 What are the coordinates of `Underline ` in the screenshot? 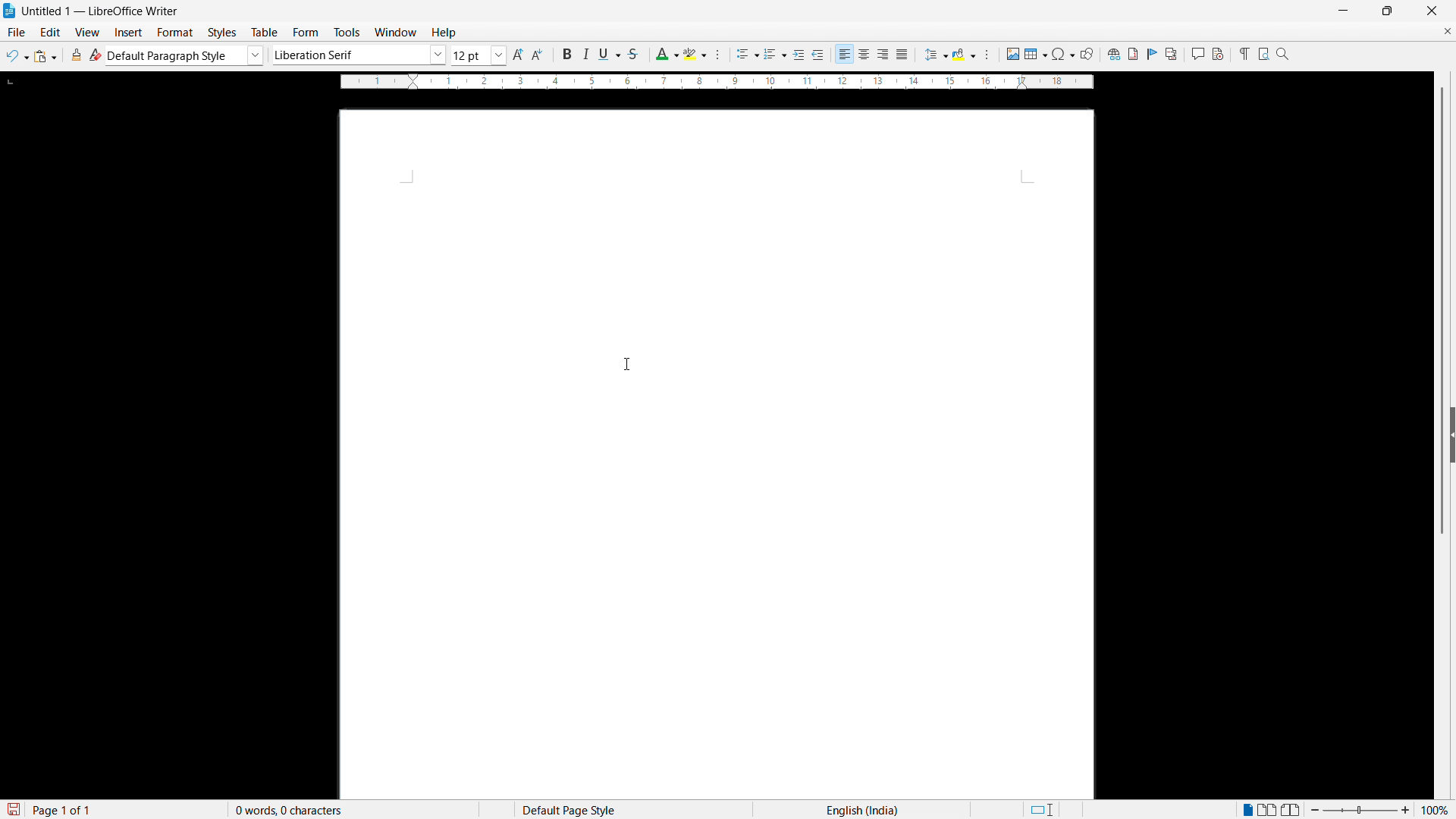 It's located at (609, 53).